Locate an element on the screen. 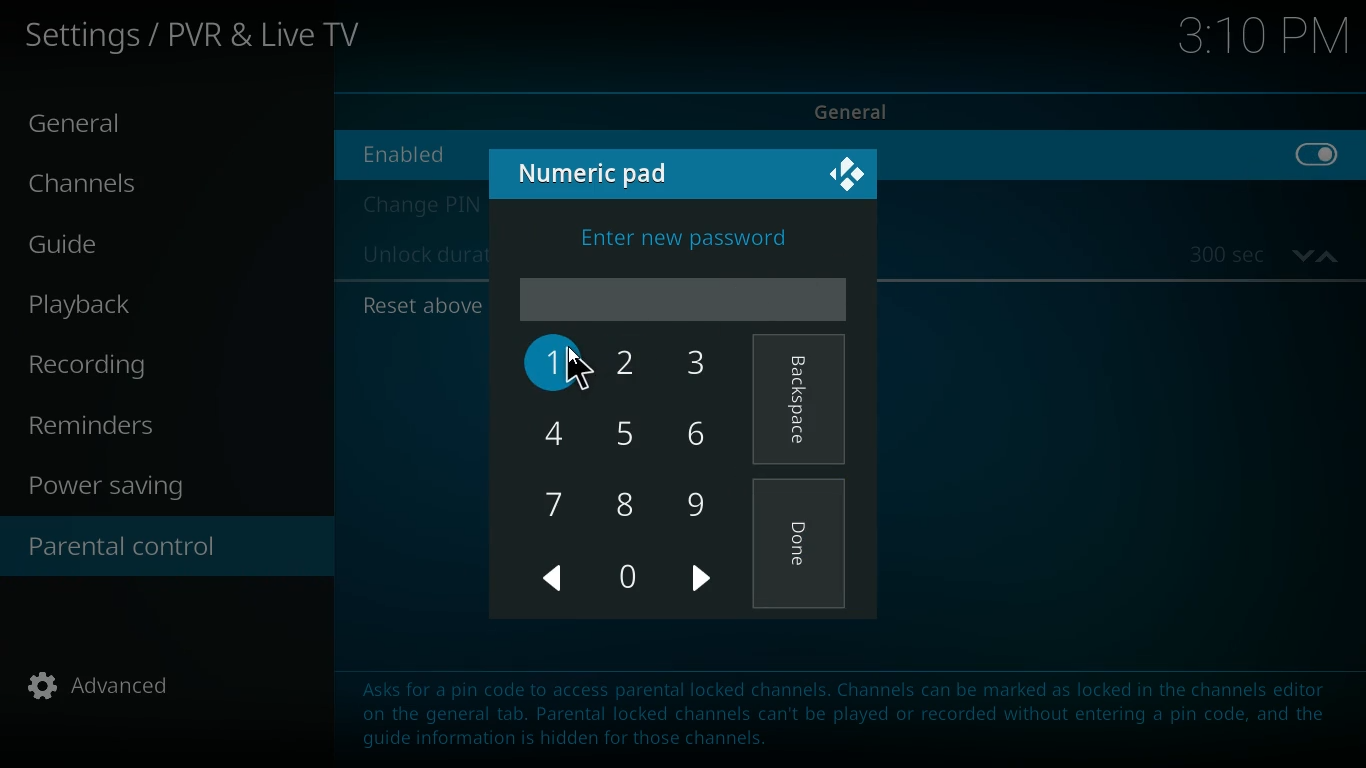 The height and width of the screenshot is (768, 1366). 0 is located at coordinates (627, 578).